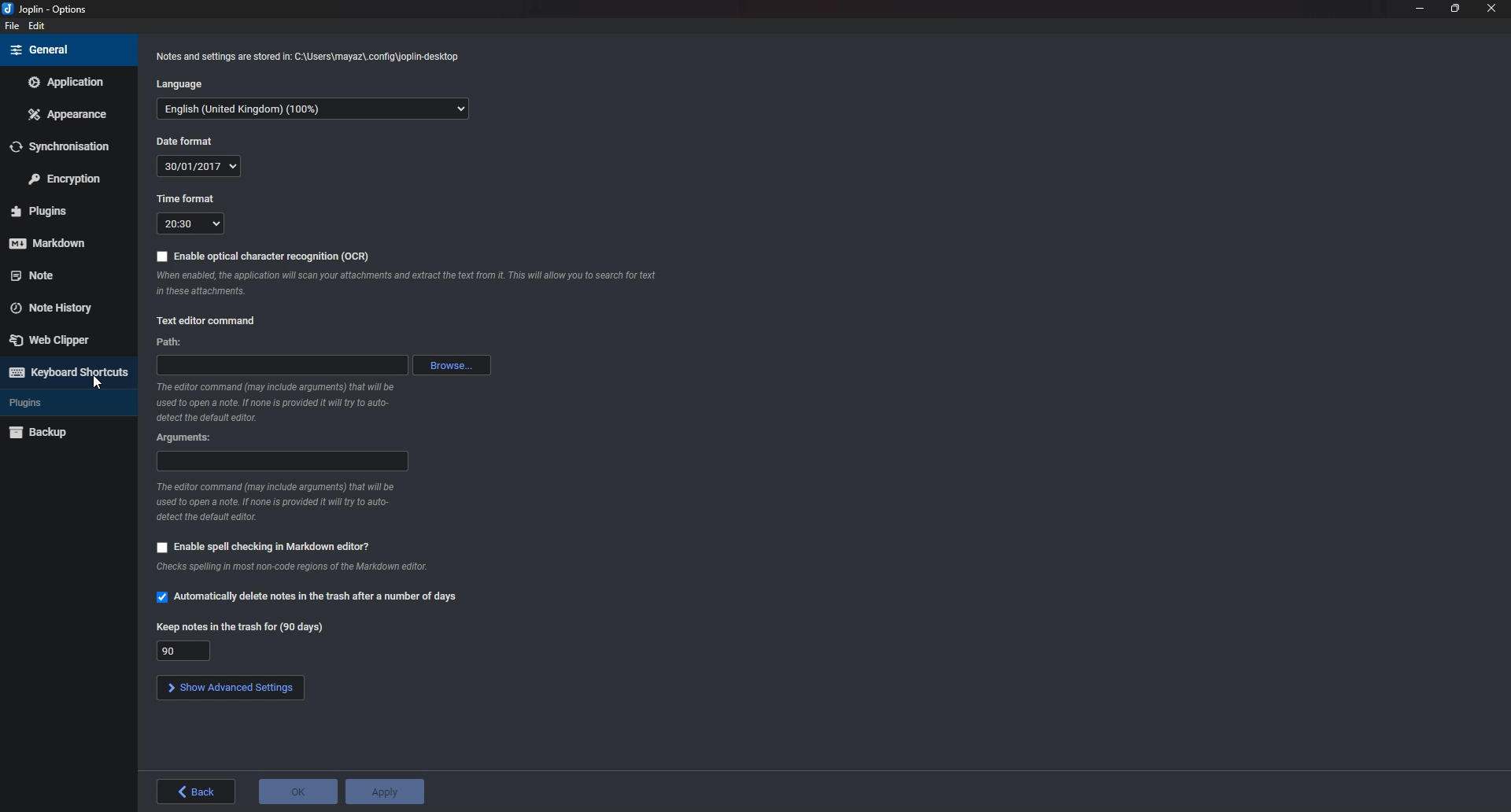 The height and width of the screenshot is (812, 1511). I want to click on General, so click(65, 49).